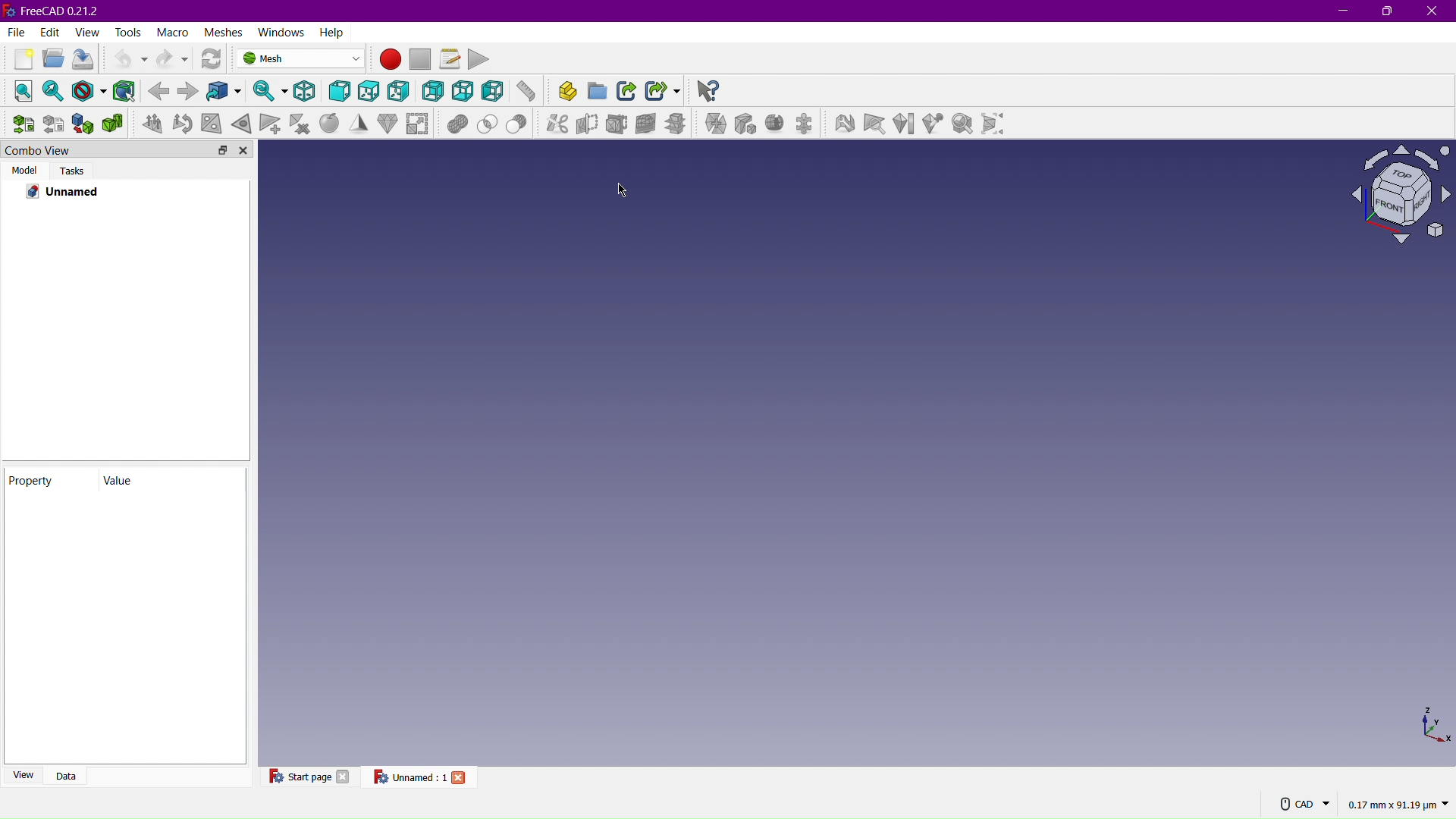 The width and height of the screenshot is (1456, 819). Describe the element at coordinates (1398, 805) in the screenshot. I see `0.17 mm x 91.19 mm` at that location.